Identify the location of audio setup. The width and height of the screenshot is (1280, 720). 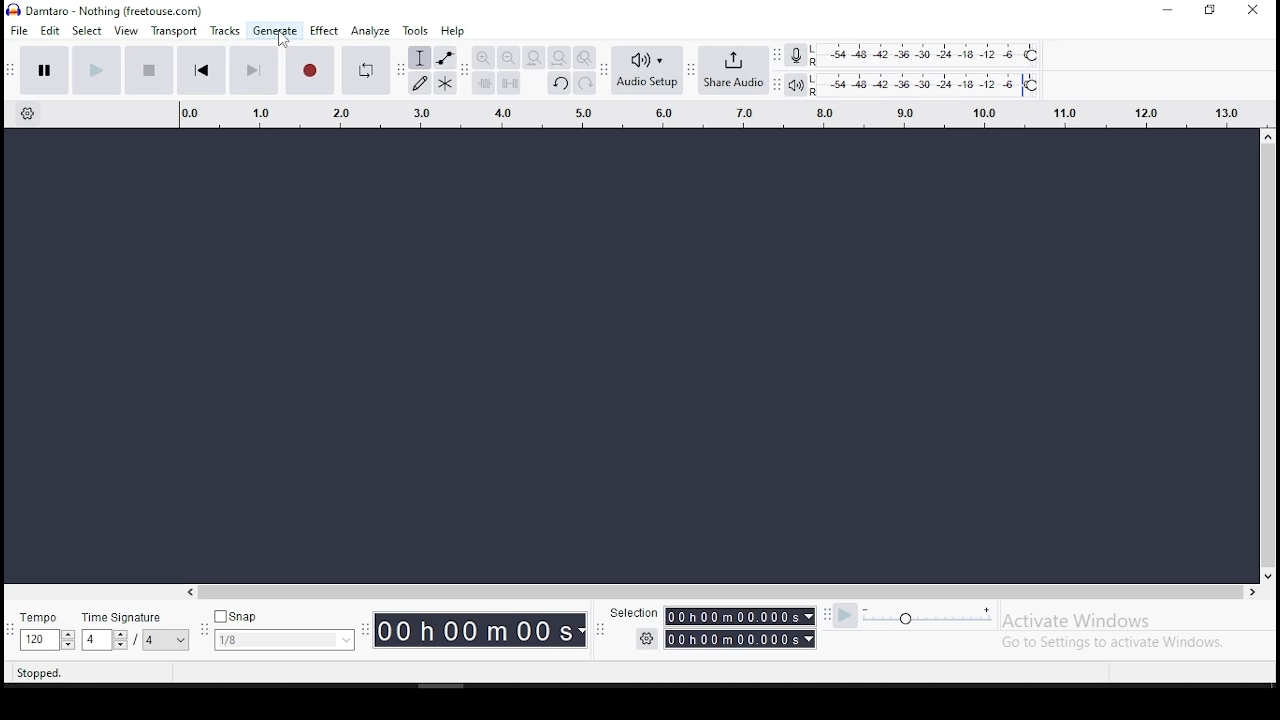
(652, 70).